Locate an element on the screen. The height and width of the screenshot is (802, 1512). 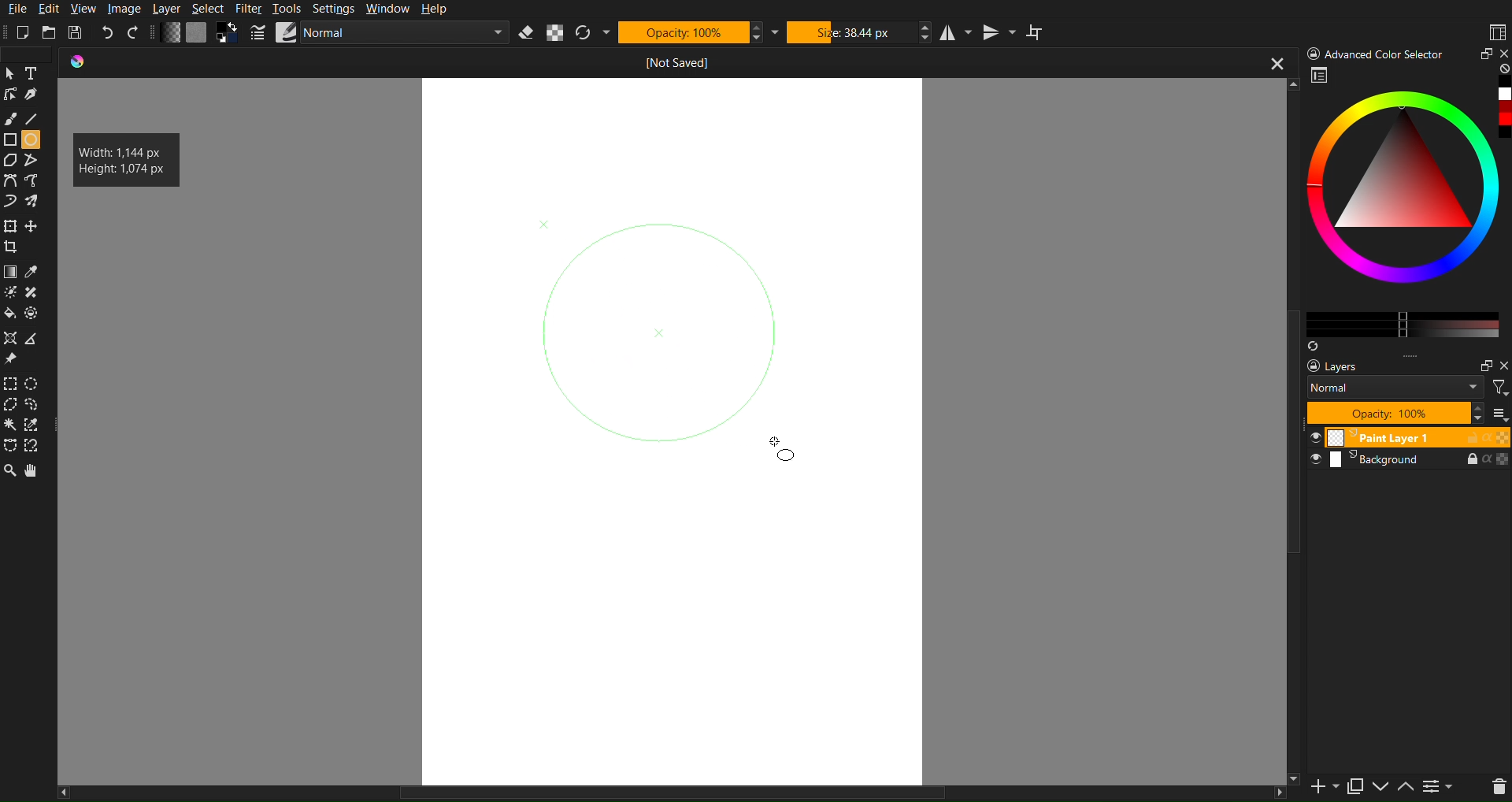
Crop is located at coordinates (9, 247).